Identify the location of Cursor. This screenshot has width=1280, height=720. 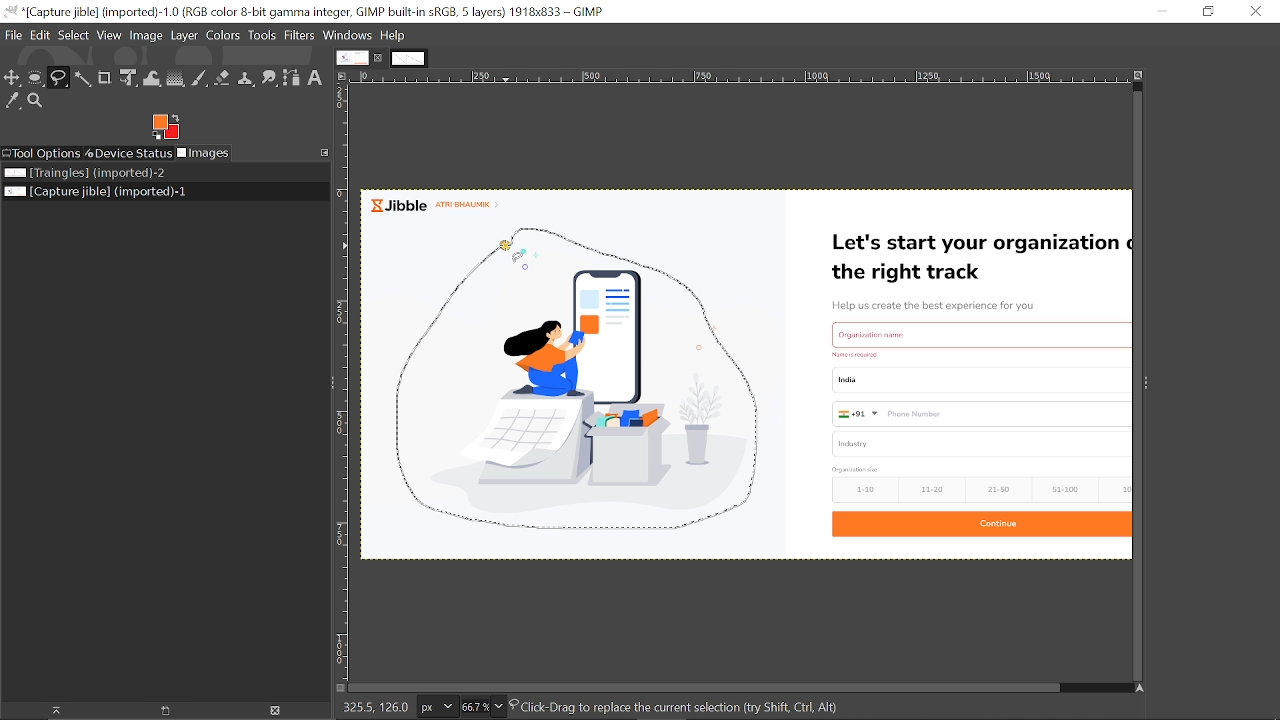
(511, 254).